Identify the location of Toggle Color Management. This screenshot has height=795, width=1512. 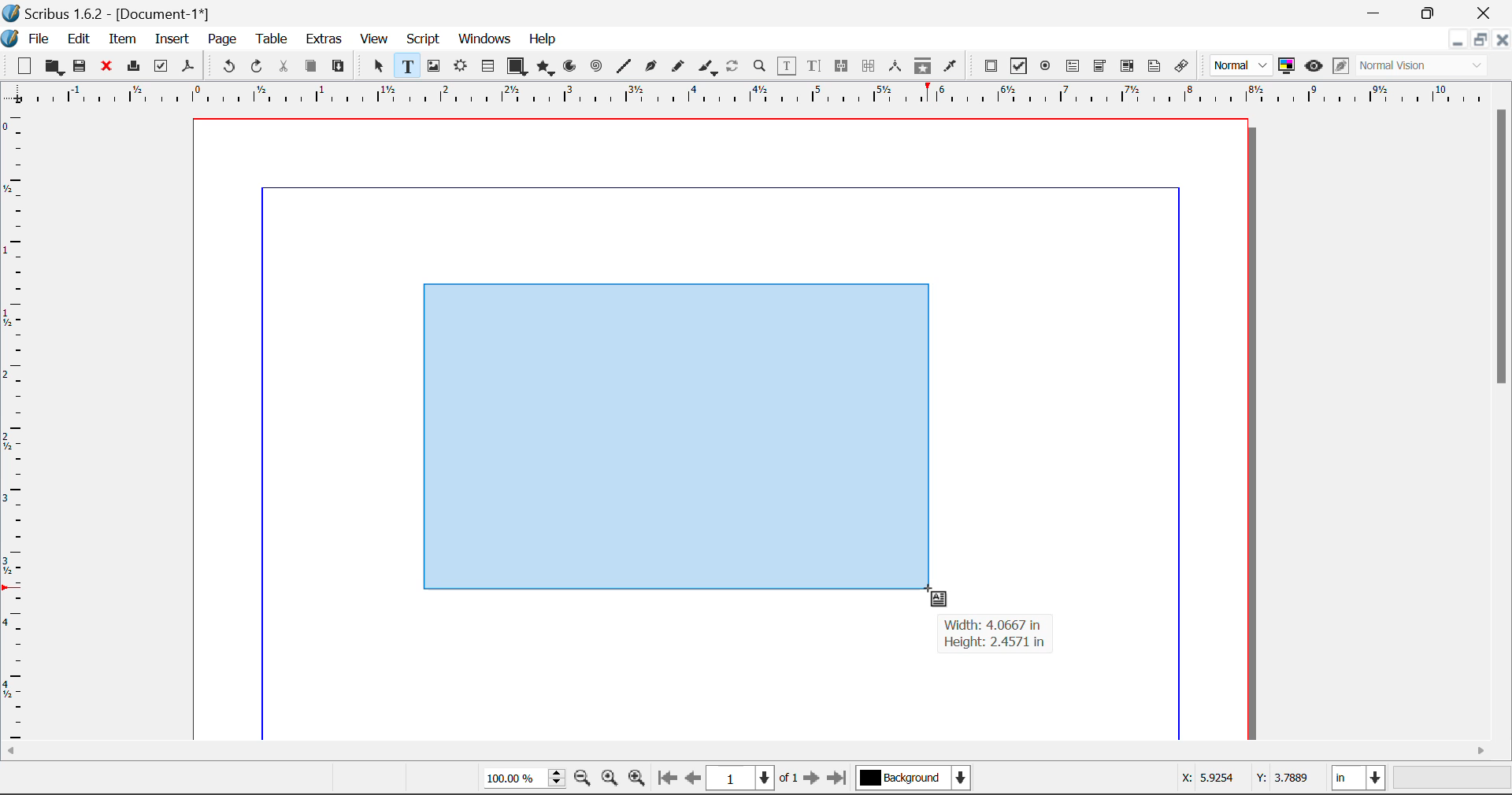
(1288, 67).